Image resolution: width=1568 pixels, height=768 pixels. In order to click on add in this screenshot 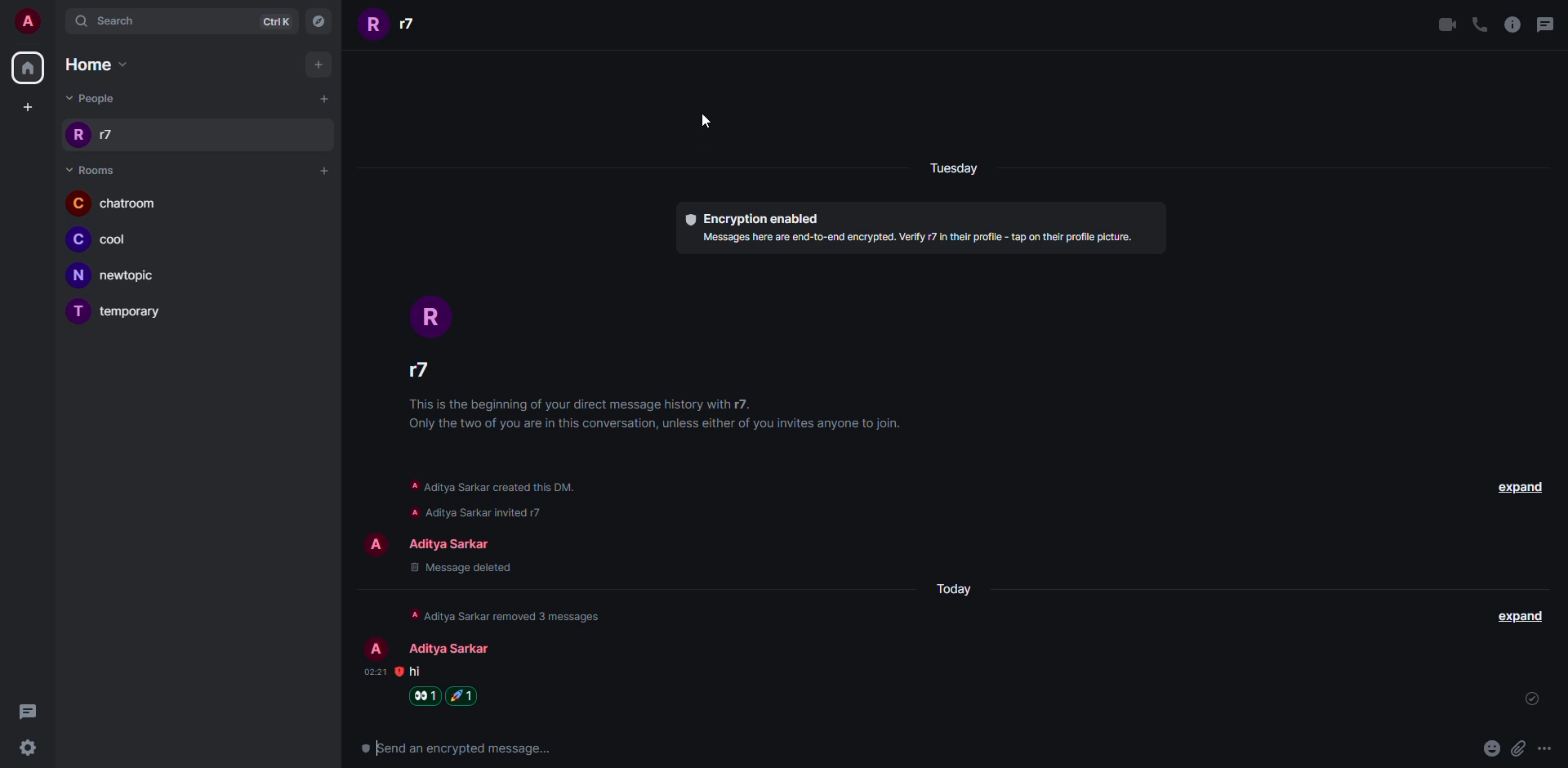, I will do `click(322, 100)`.